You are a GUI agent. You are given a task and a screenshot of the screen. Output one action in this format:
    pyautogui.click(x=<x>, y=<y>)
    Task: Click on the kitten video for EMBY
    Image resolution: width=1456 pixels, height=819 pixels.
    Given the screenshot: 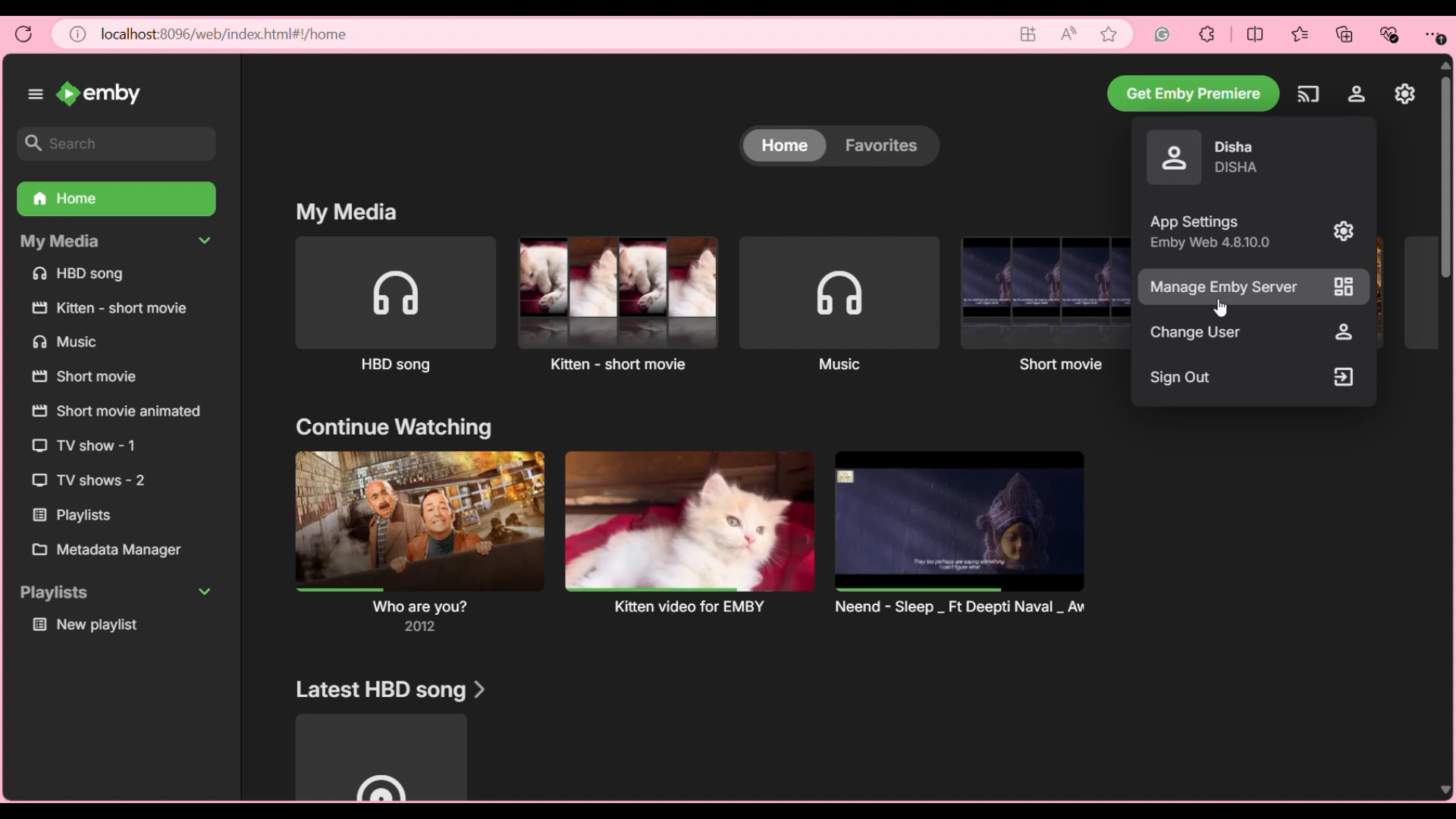 What is the action you would take?
    pyautogui.click(x=686, y=533)
    